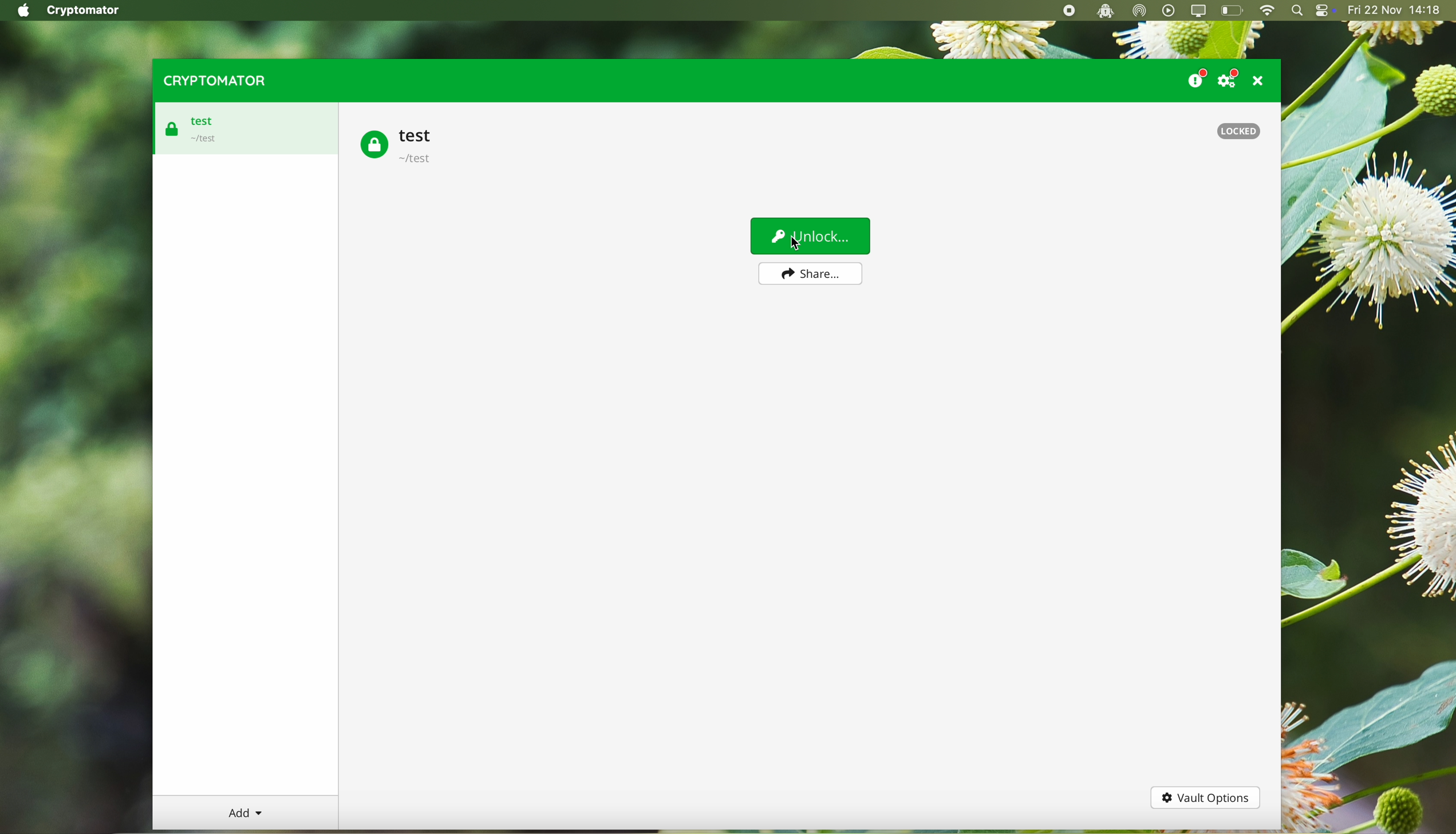 The width and height of the screenshot is (1456, 834). Describe the element at coordinates (1325, 11) in the screenshot. I see `controls` at that location.